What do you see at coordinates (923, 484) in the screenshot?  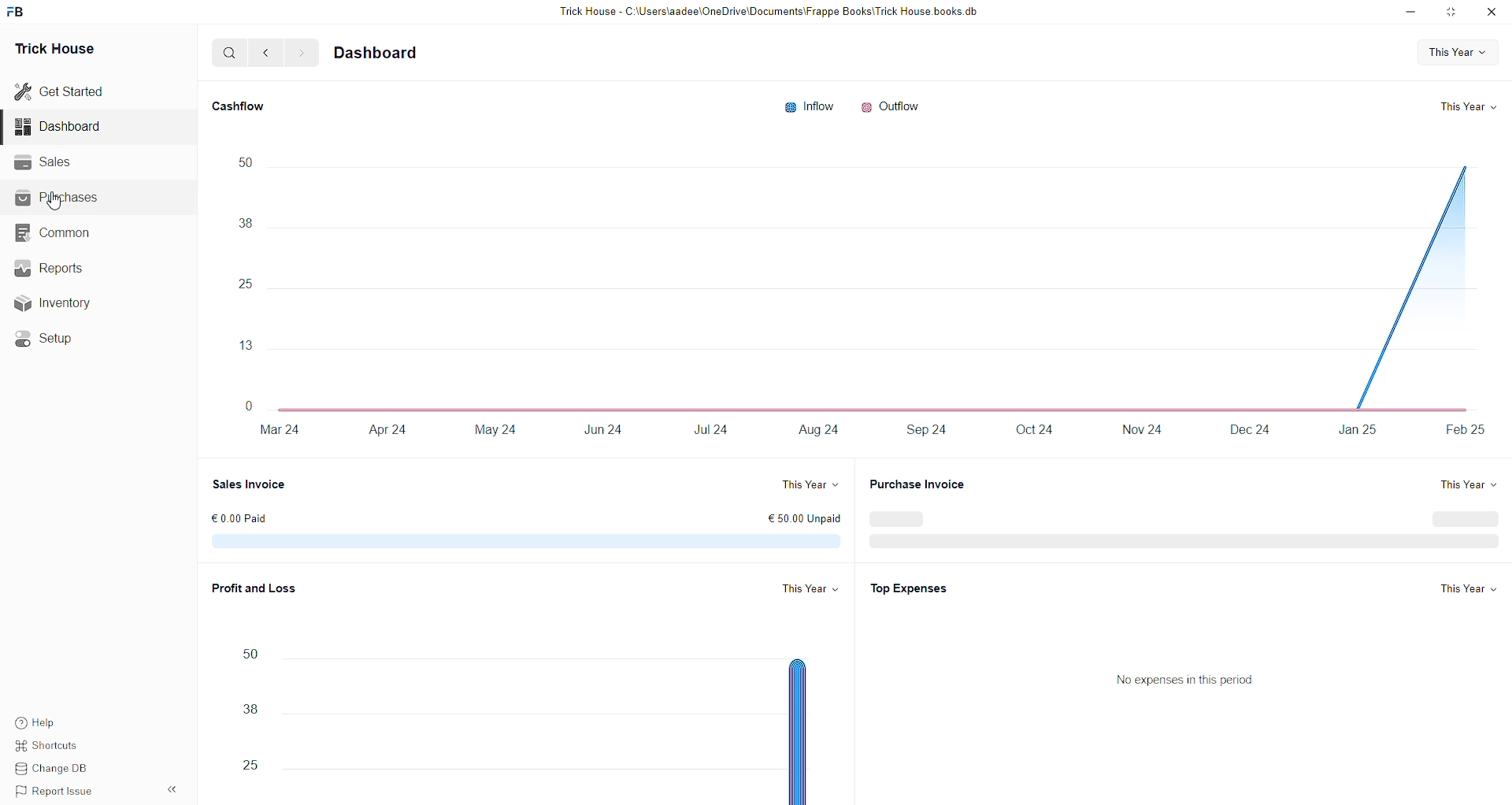 I see `Purchase Invoice` at bounding box center [923, 484].